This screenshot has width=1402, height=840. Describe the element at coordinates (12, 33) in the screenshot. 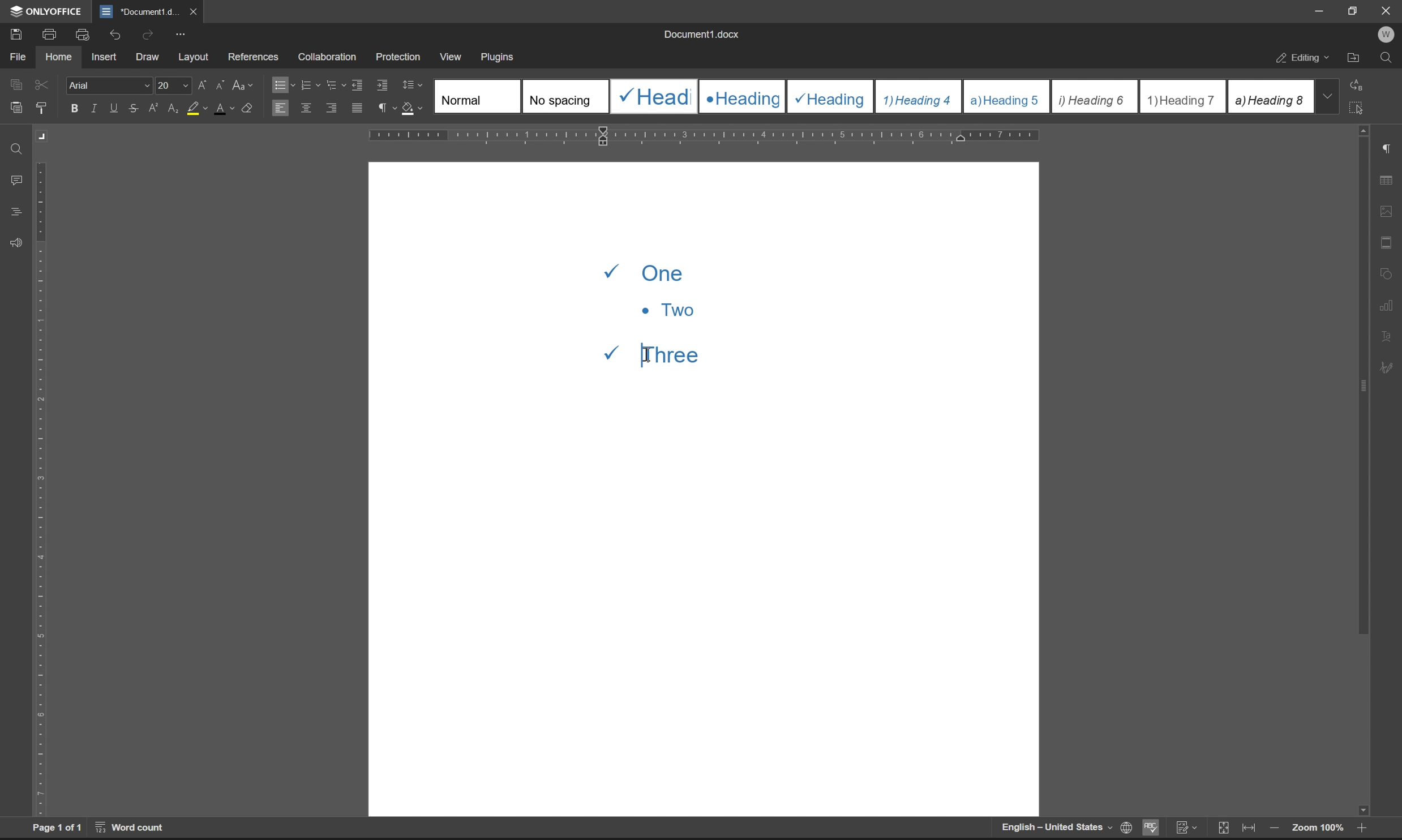

I see `save` at that location.